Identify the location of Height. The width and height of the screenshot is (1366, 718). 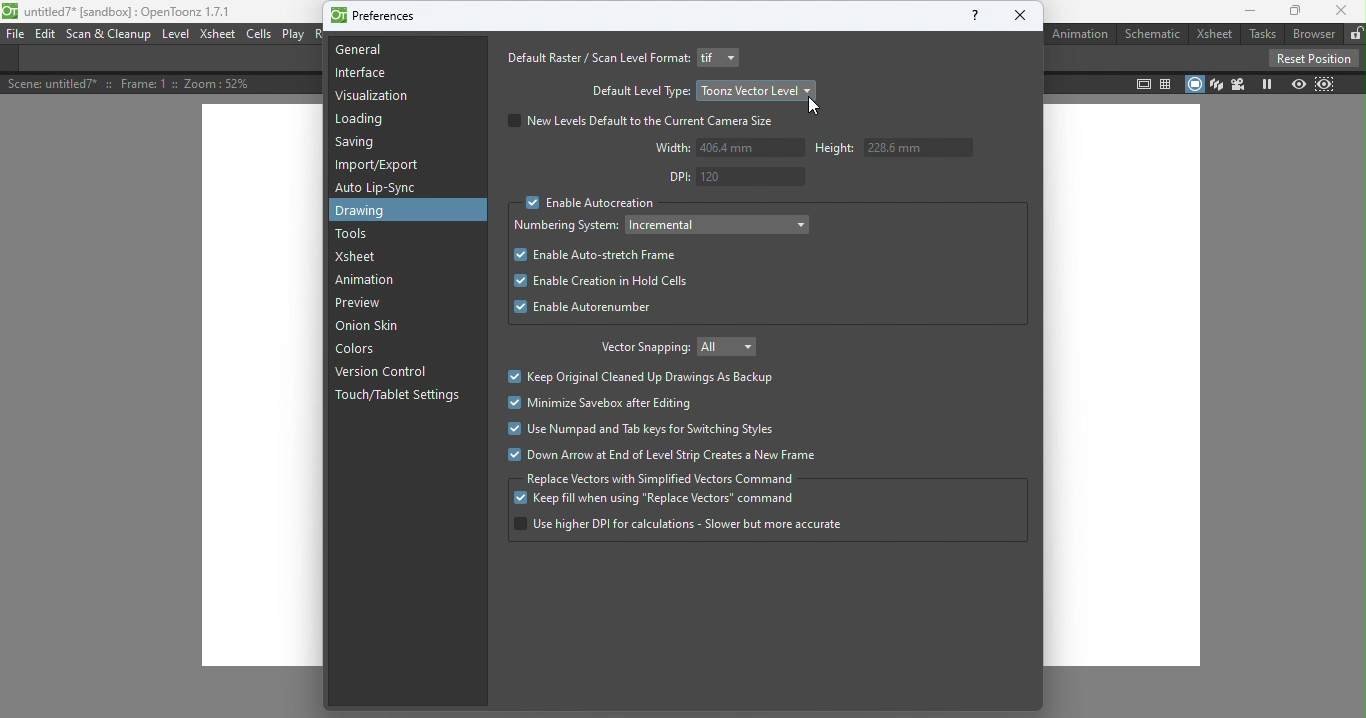
(900, 150).